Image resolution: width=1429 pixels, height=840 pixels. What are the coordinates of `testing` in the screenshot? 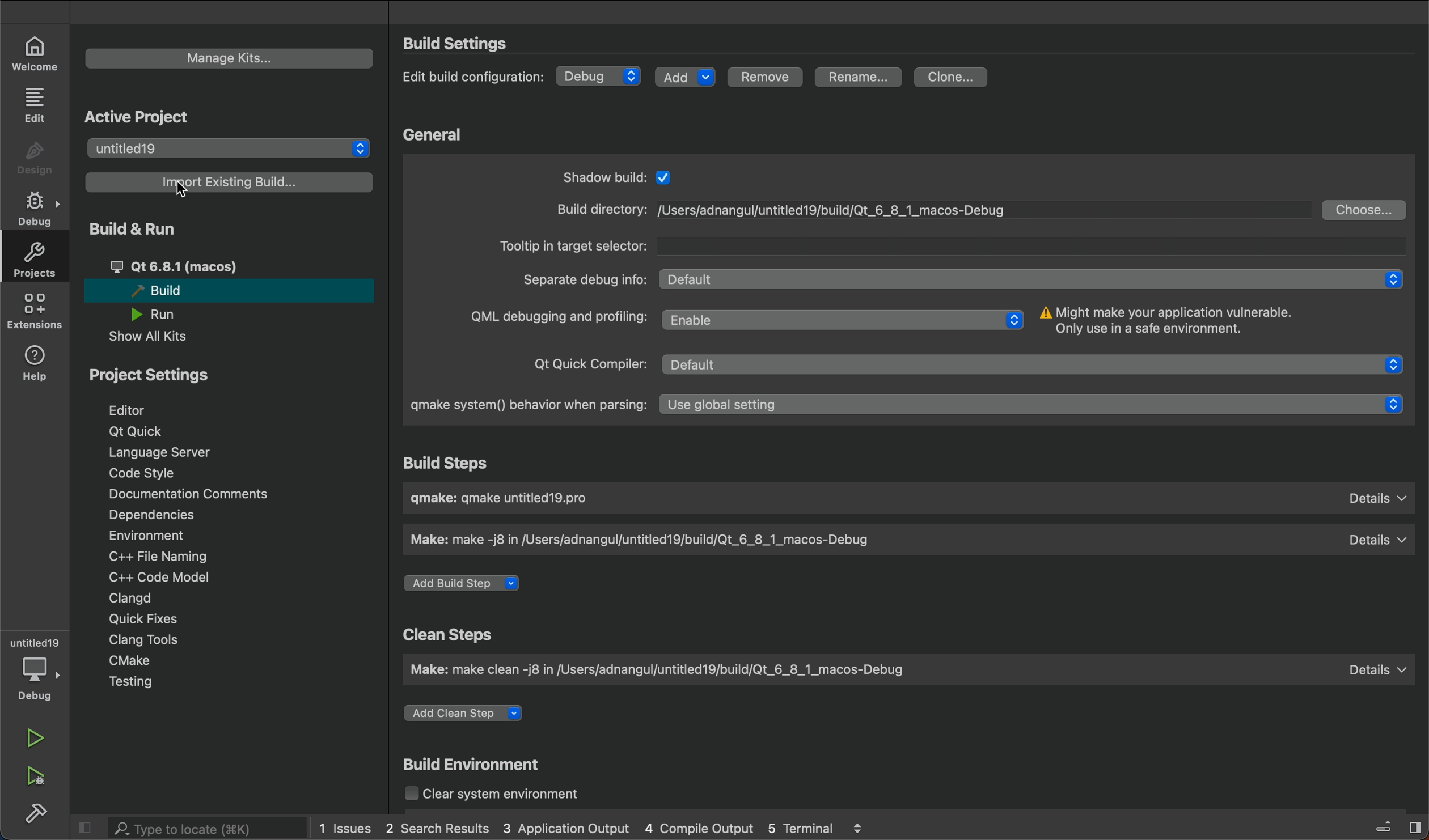 It's located at (145, 684).